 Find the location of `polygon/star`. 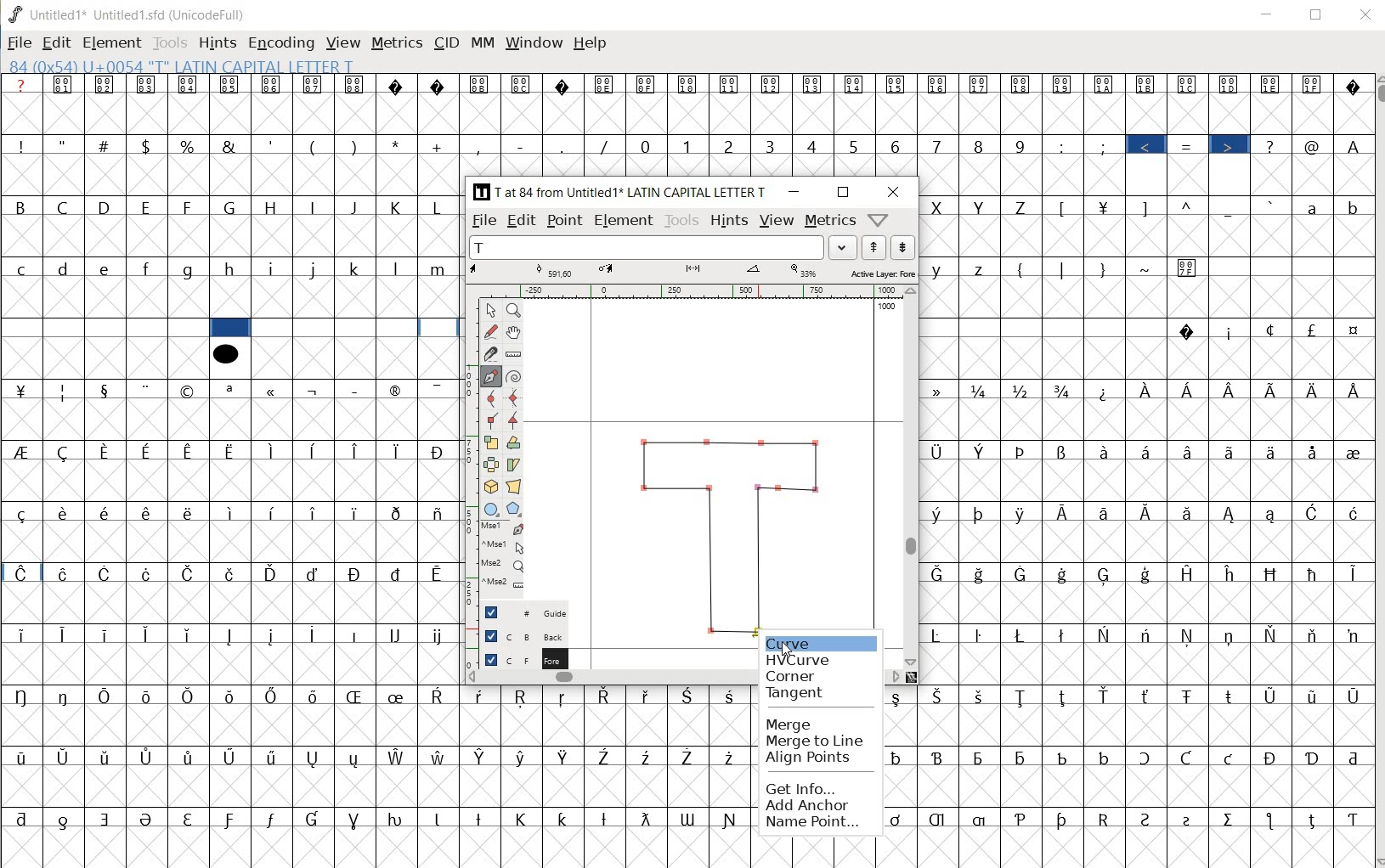

polygon/star is located at coordinates (513, 509).